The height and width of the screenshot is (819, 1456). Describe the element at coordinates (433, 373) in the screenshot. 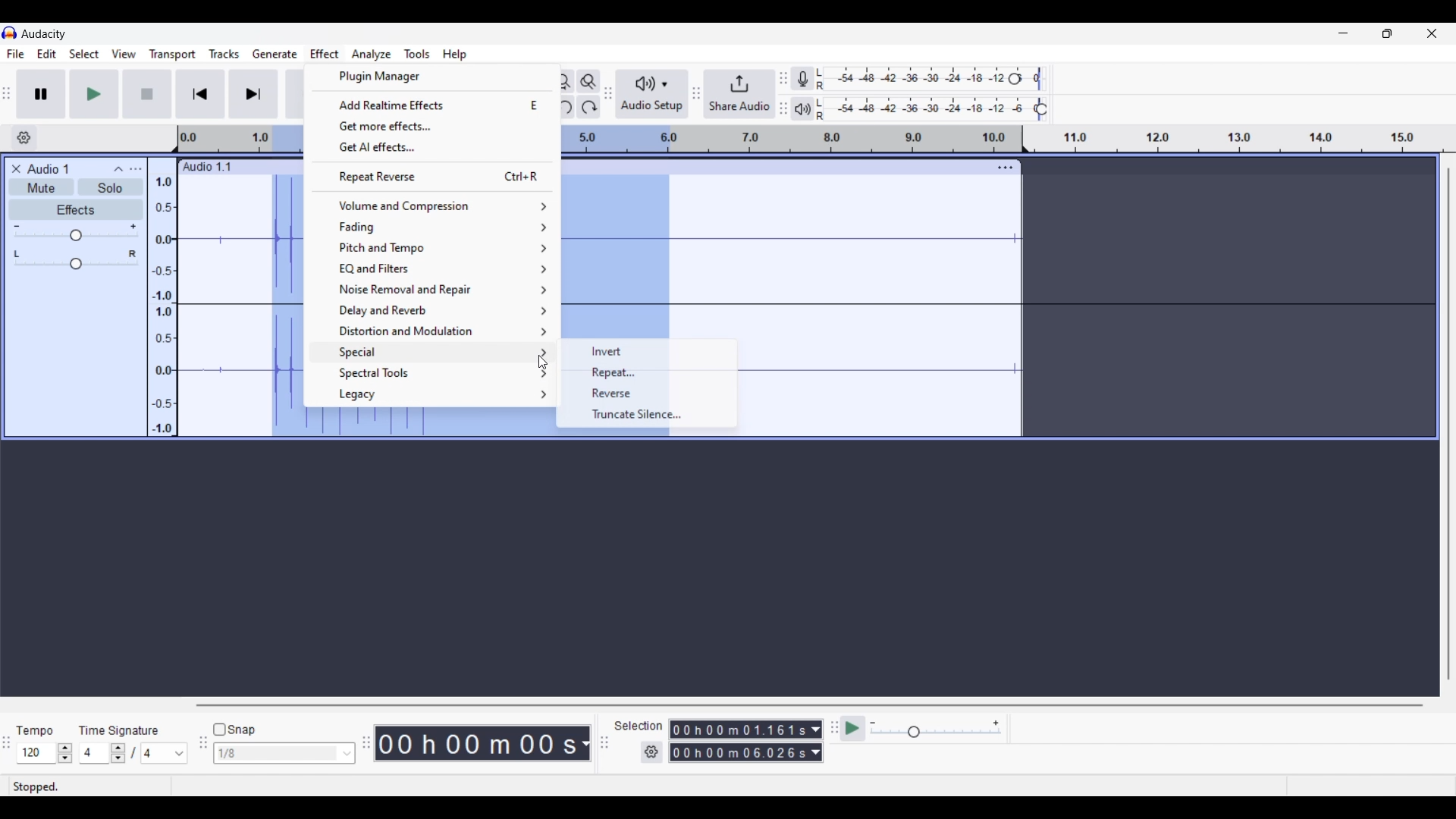

I see `Spectral tool options` at that location.